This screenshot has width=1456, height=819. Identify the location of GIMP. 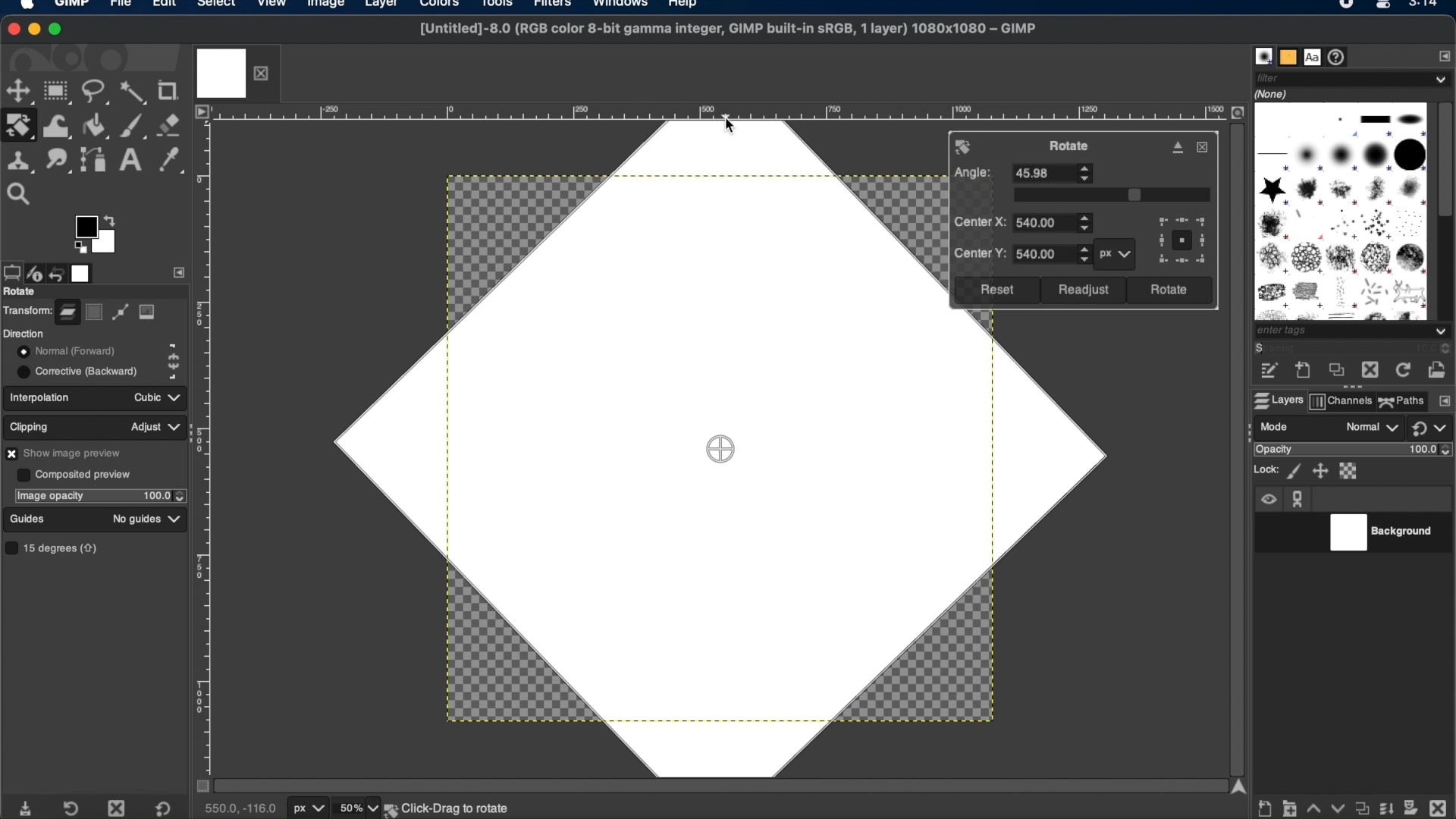
(74, 6).